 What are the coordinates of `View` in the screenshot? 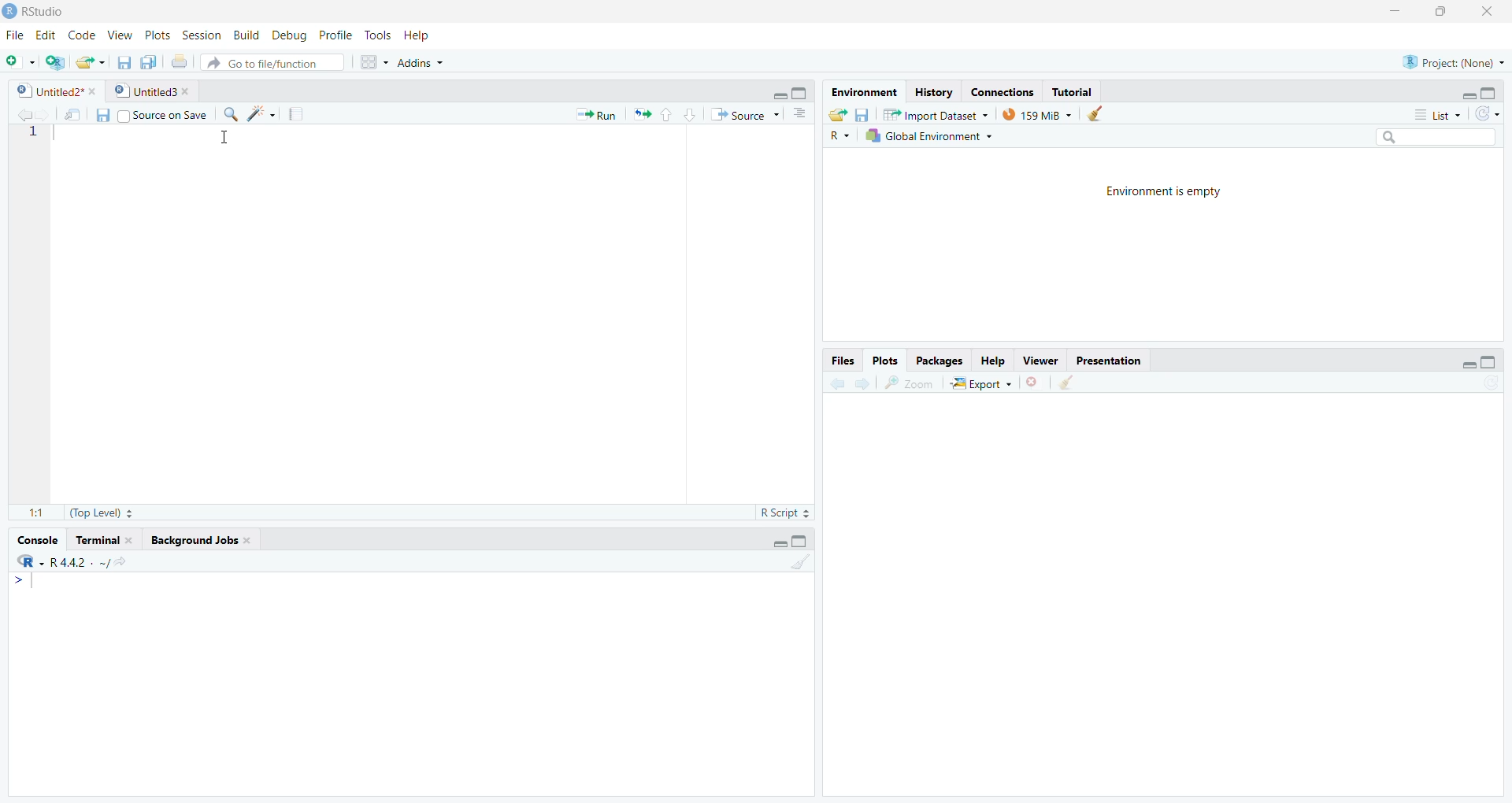 It's located at (120, 36).